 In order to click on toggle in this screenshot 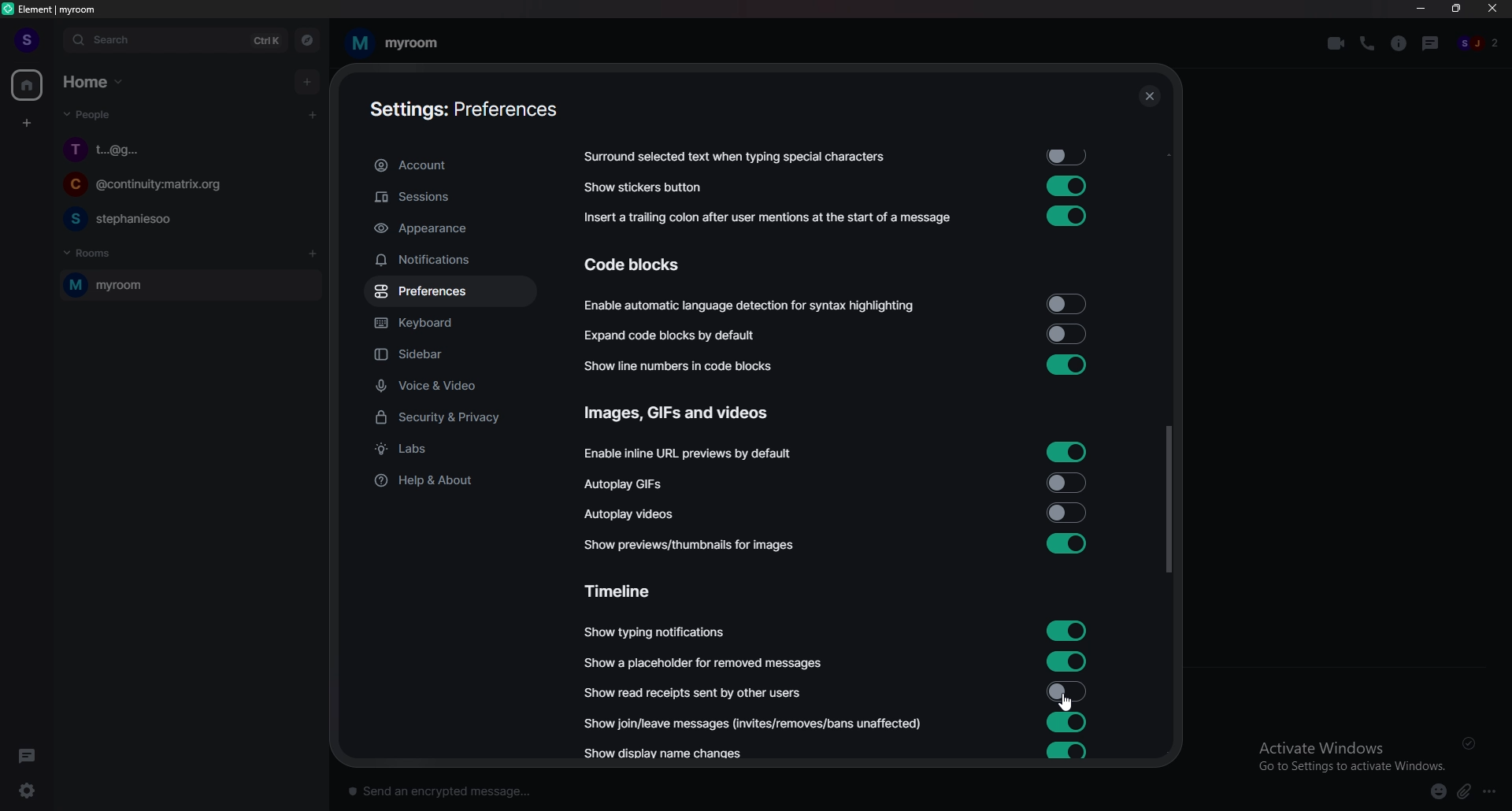, I will do `click(1065, 305)`.